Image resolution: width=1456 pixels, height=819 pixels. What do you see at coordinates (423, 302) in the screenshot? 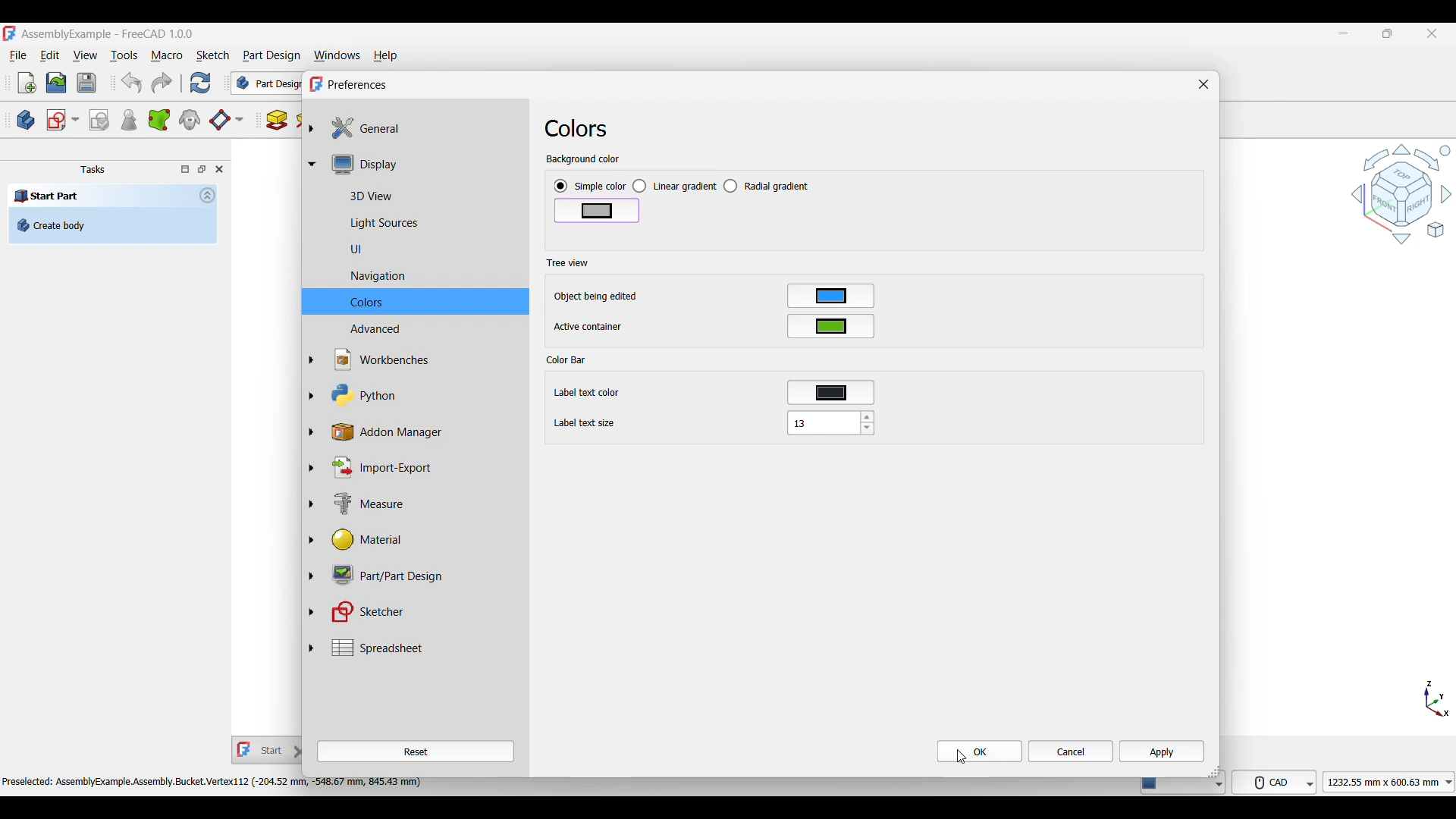
I see `Colors` at bounding box center [423, 302].